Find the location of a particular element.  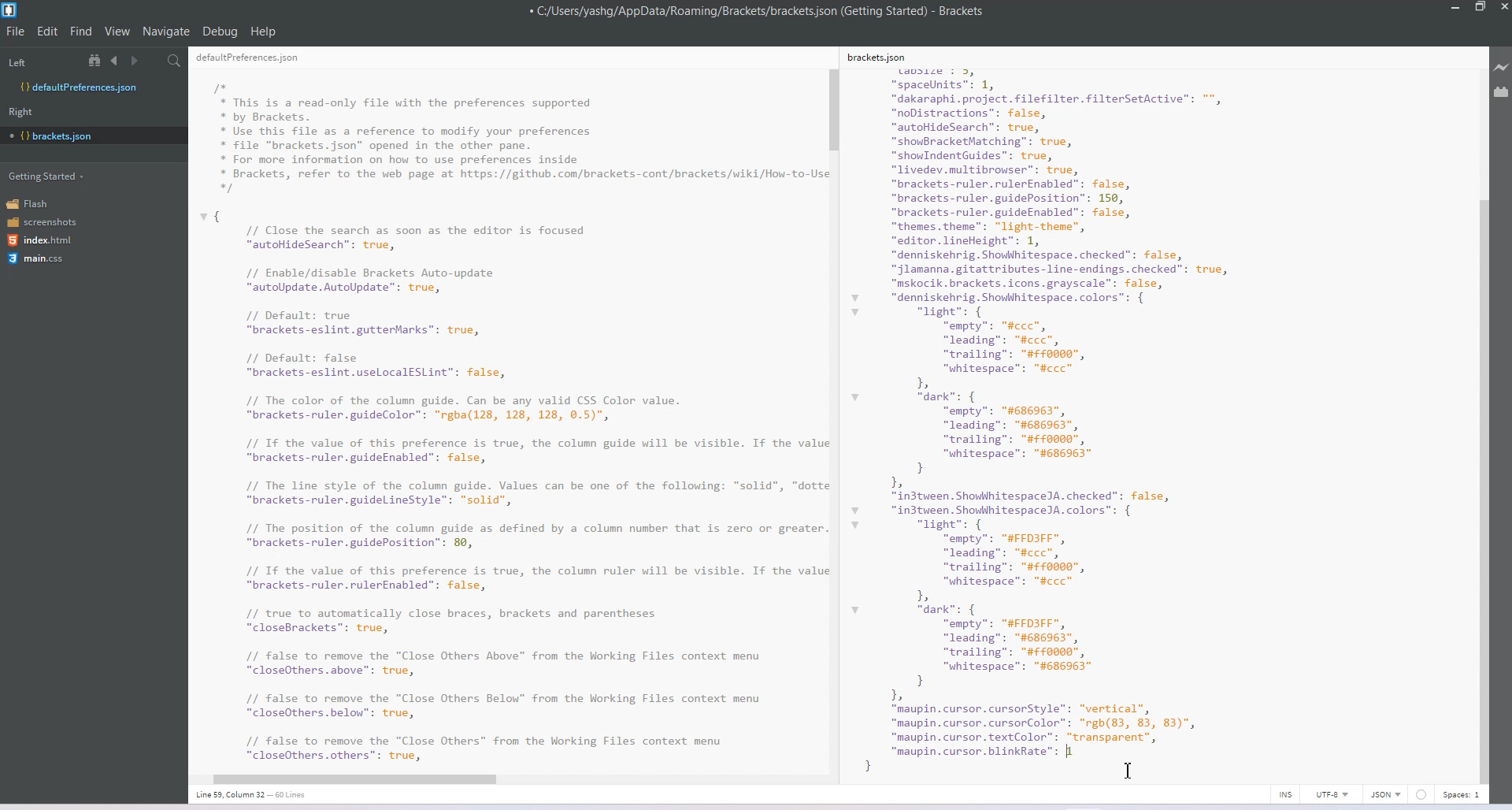

Extension Manager is located at coordinates (1502, 95).